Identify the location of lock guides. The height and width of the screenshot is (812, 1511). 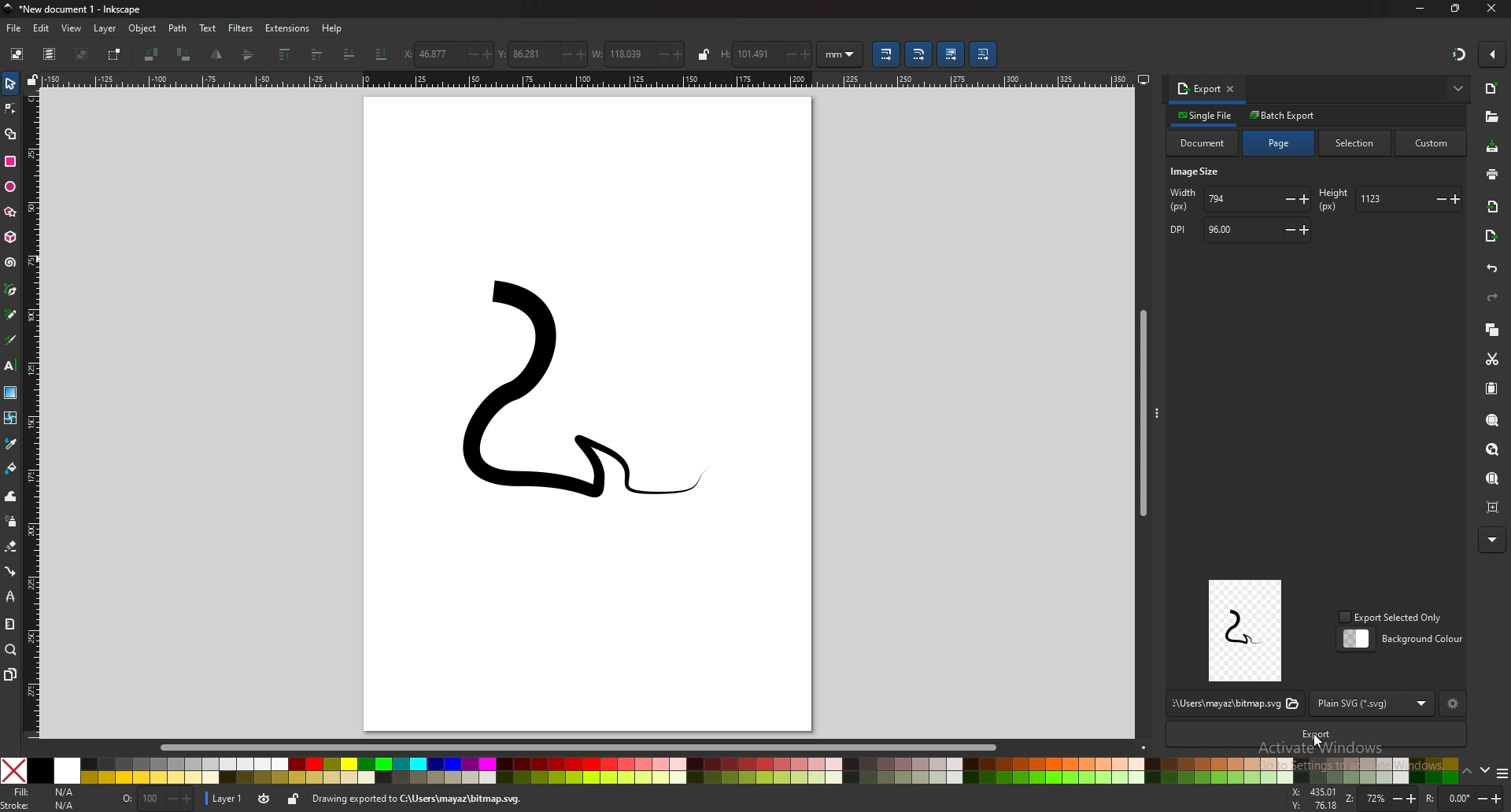
(34, 79).